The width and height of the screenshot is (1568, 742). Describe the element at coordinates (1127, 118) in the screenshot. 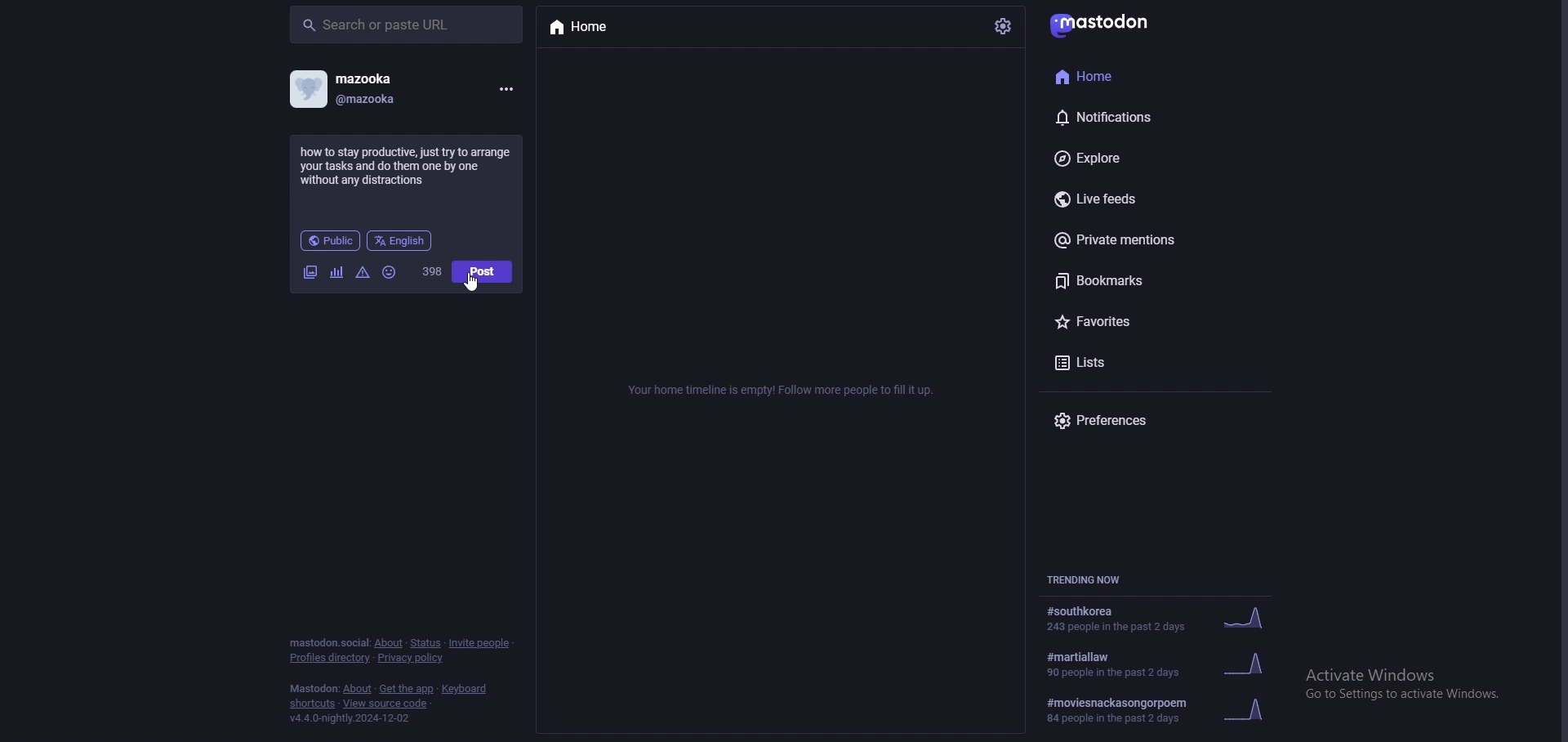

I see `notifications` at that location.